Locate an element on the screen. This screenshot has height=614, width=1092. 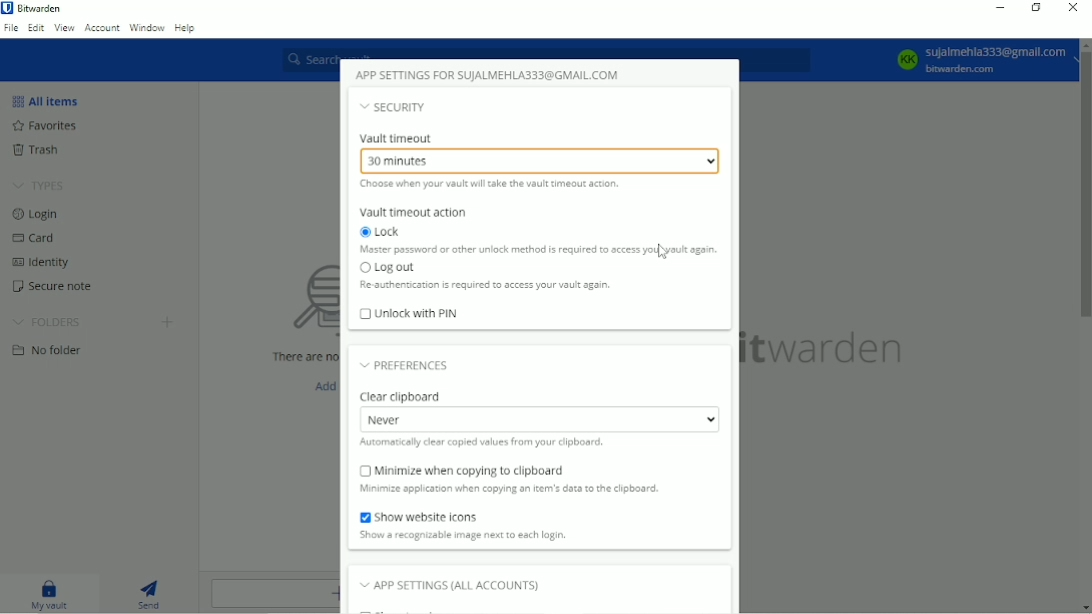
Master password or other unlock method is required to access your vault again. is located at coordinates (534, 249).